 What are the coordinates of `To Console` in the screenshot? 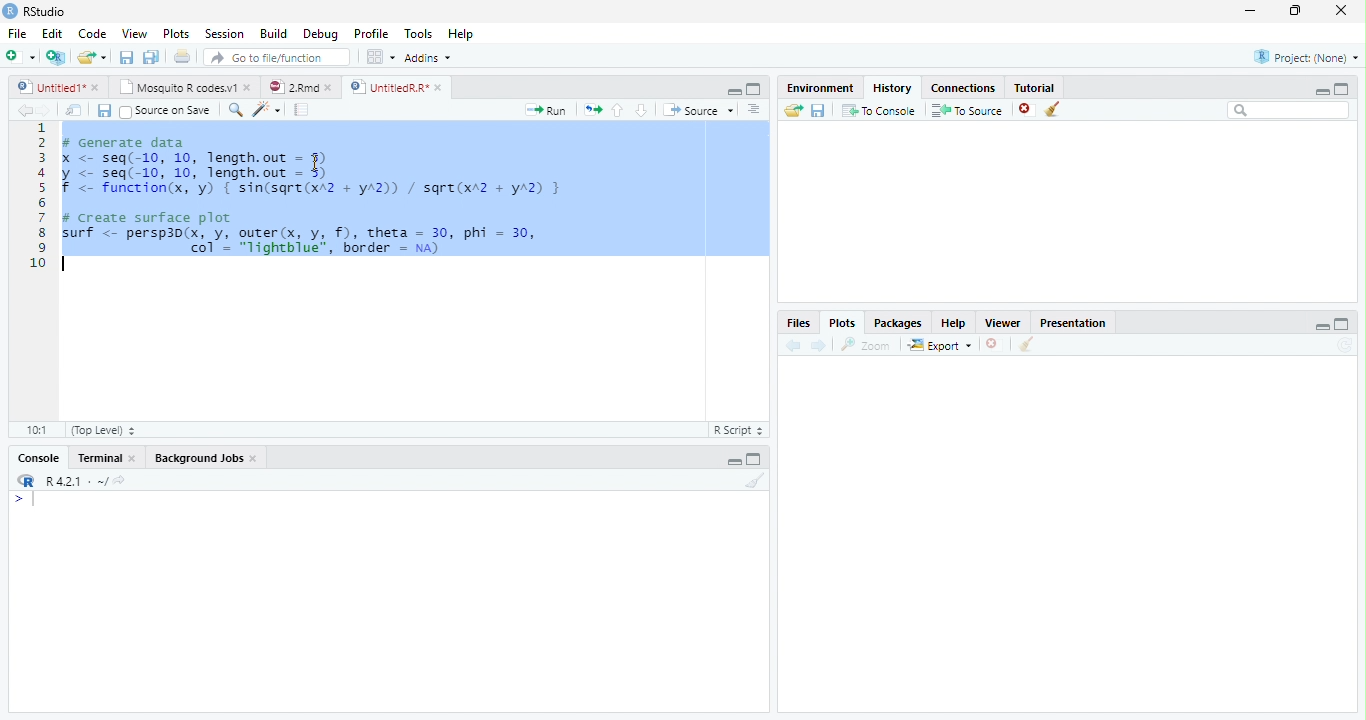 It's located at (879, 110).